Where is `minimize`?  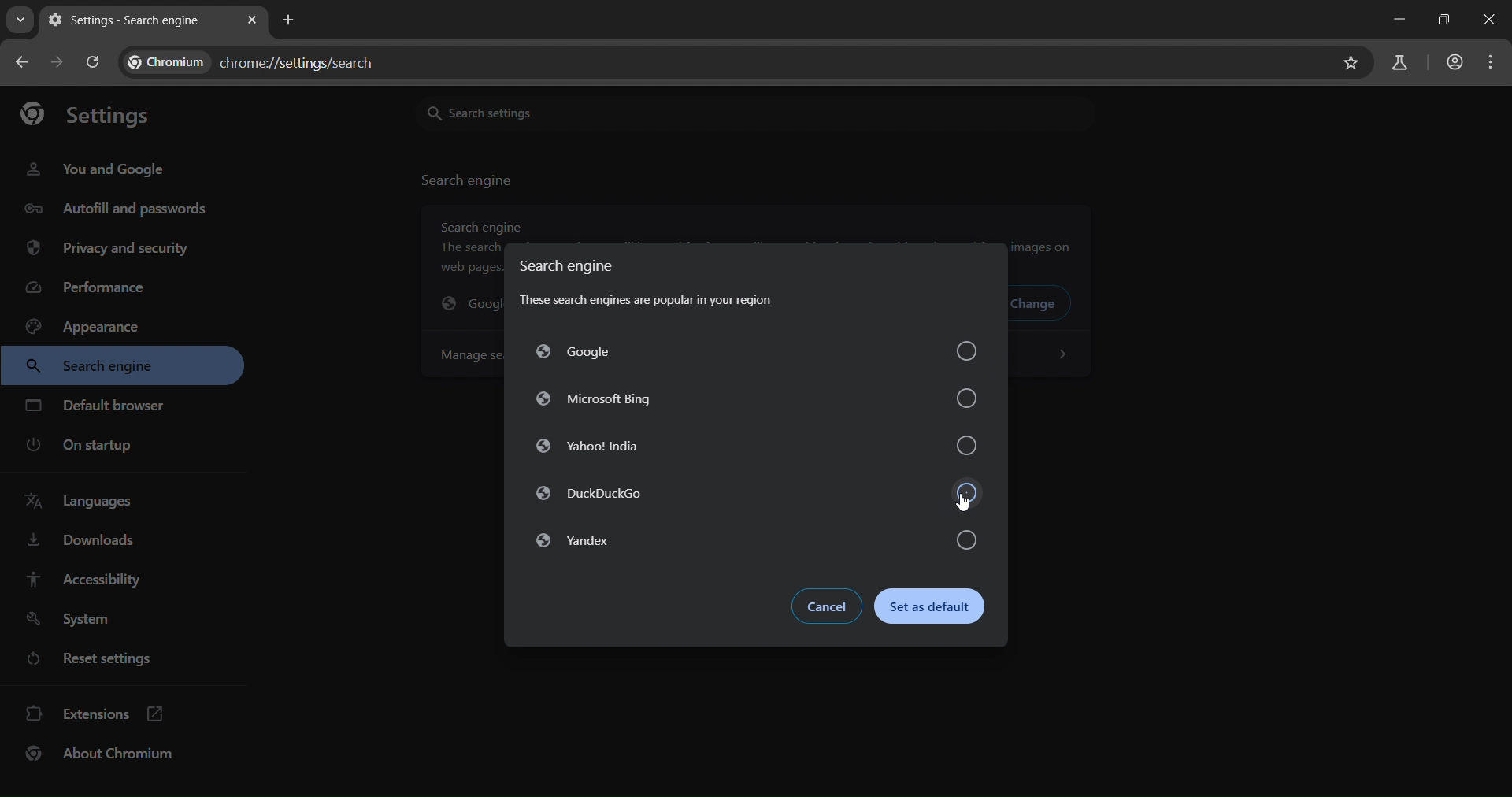
minimize is located at coordinates (1399, 18).